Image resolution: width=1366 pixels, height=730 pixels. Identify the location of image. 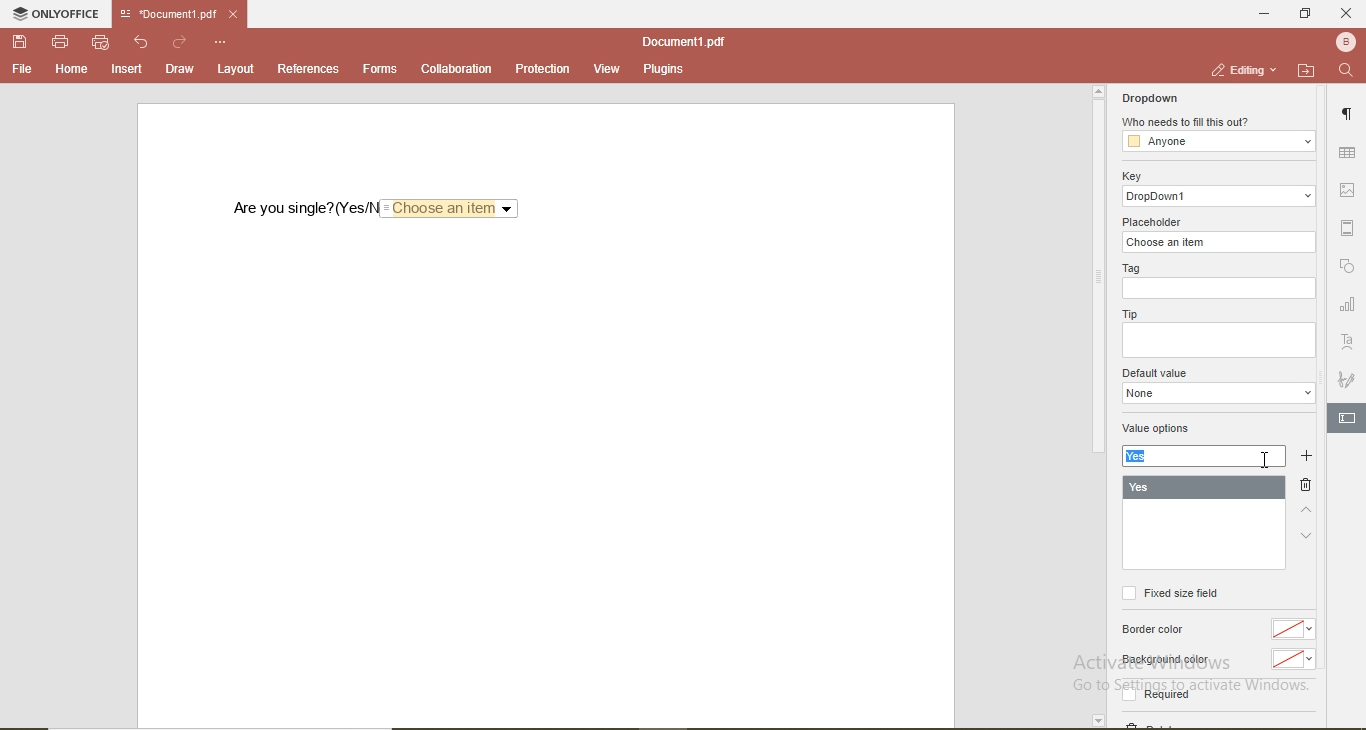
(1348, 187).